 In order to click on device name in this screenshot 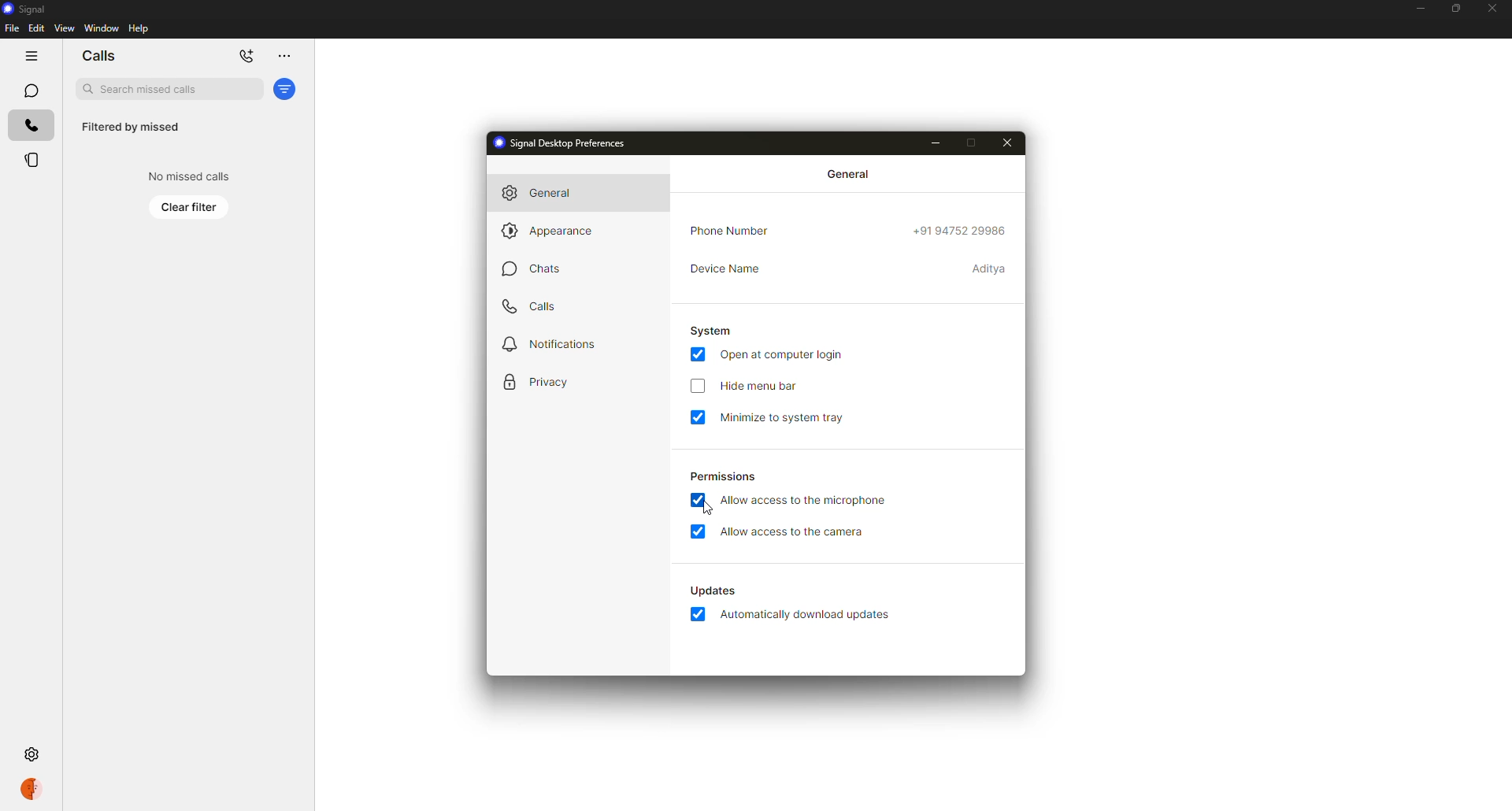, I will do `click(725, 270)`.